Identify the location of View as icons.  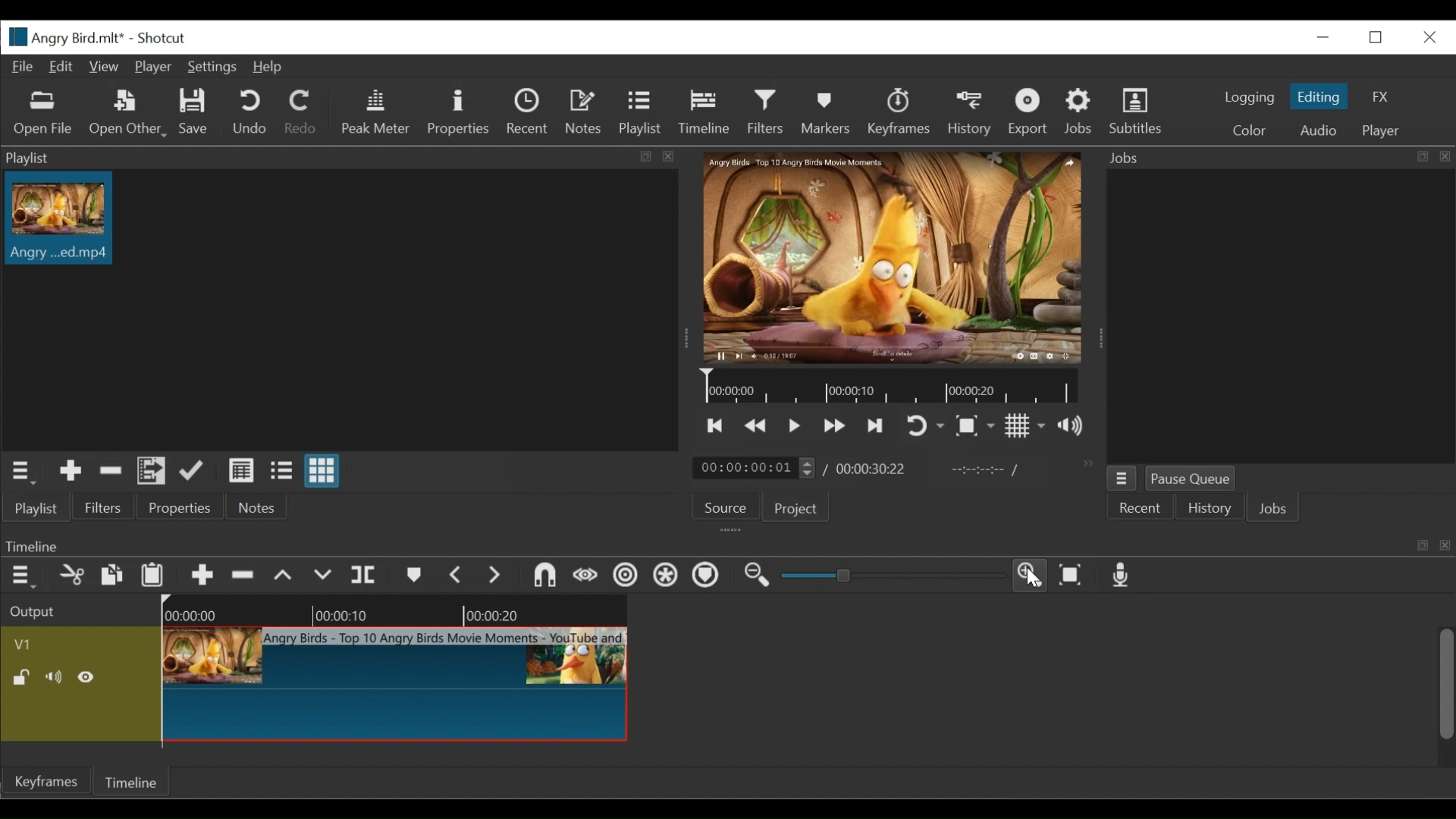
(324, 471).